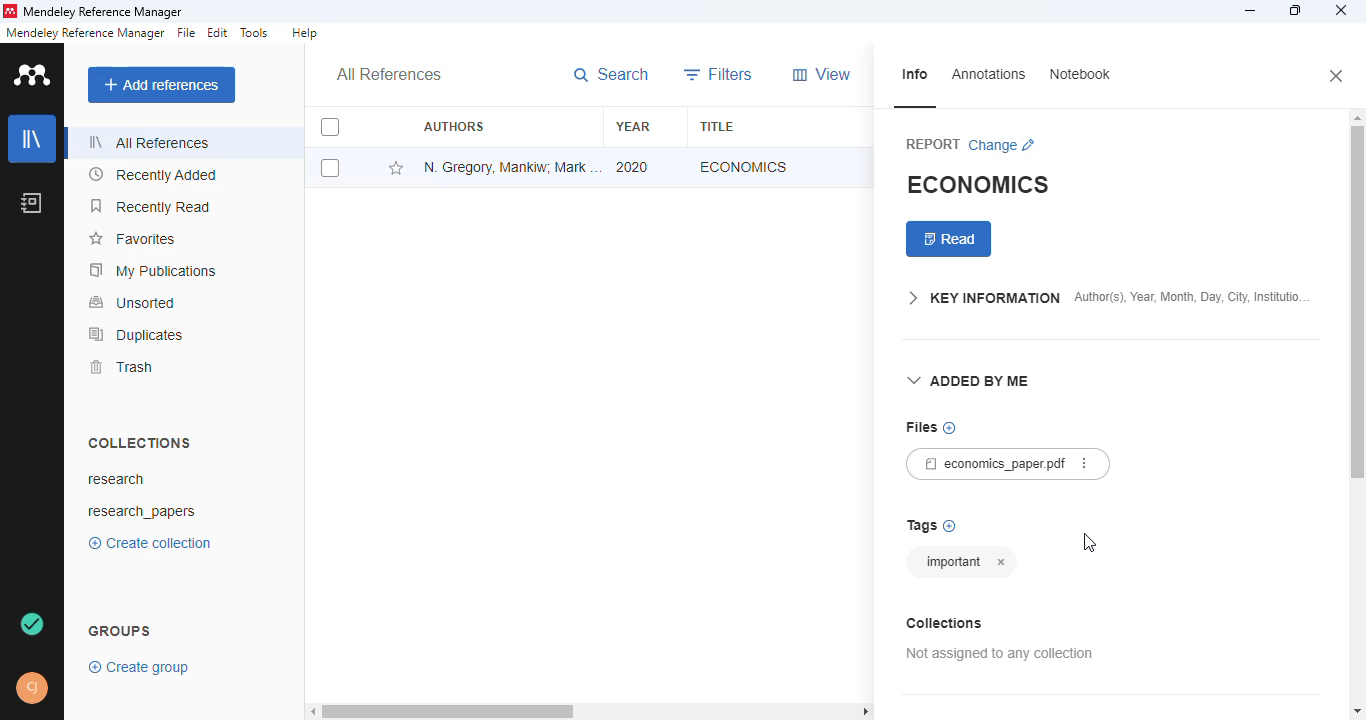 The width and height of the screenshot is (1366, 720). Describe the element at coordinates (120, 631) in the screenshot. I see `groups` at that location.